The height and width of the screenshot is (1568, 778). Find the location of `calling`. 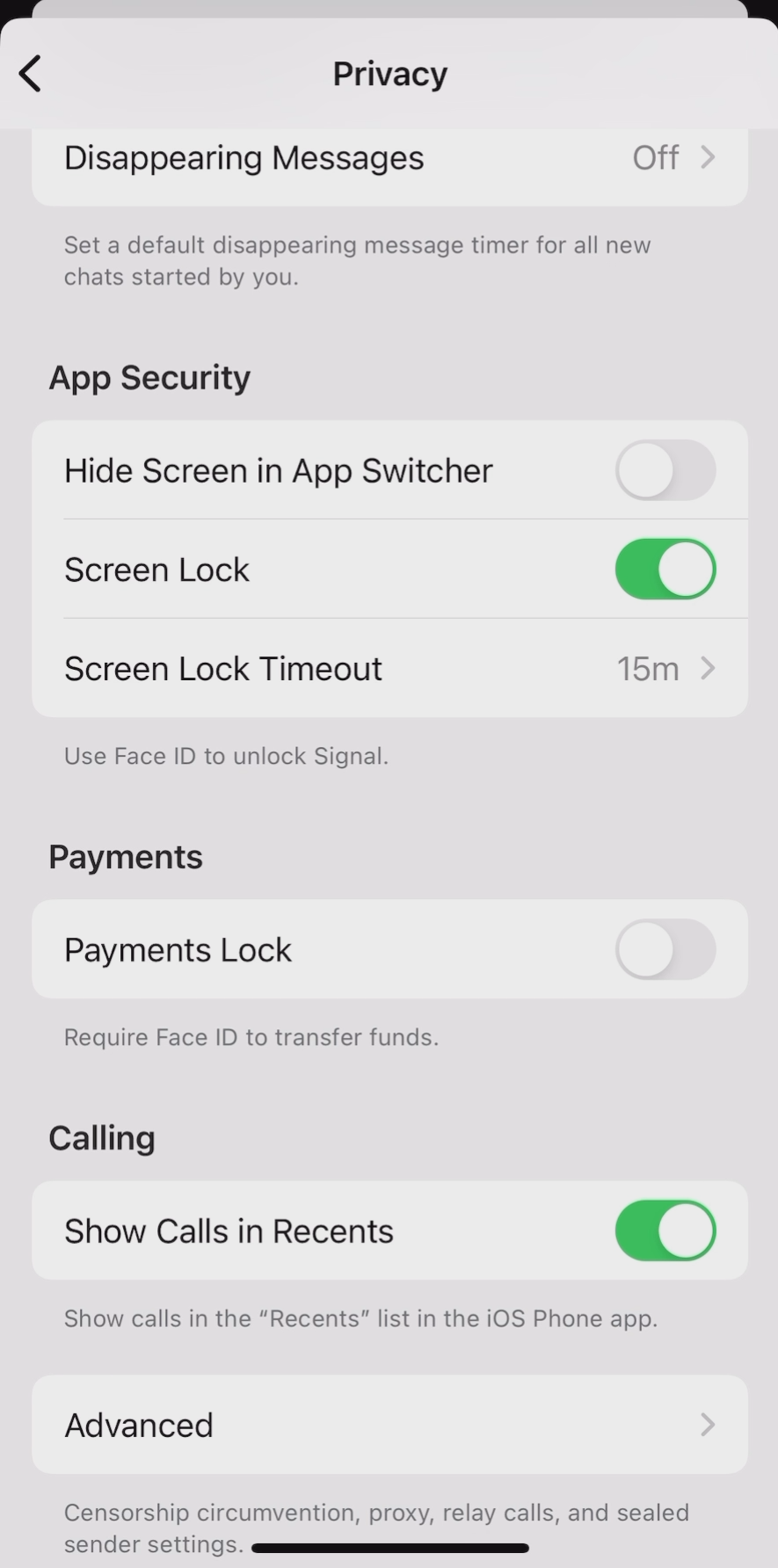

calling is located at coordinates (104, 1135).